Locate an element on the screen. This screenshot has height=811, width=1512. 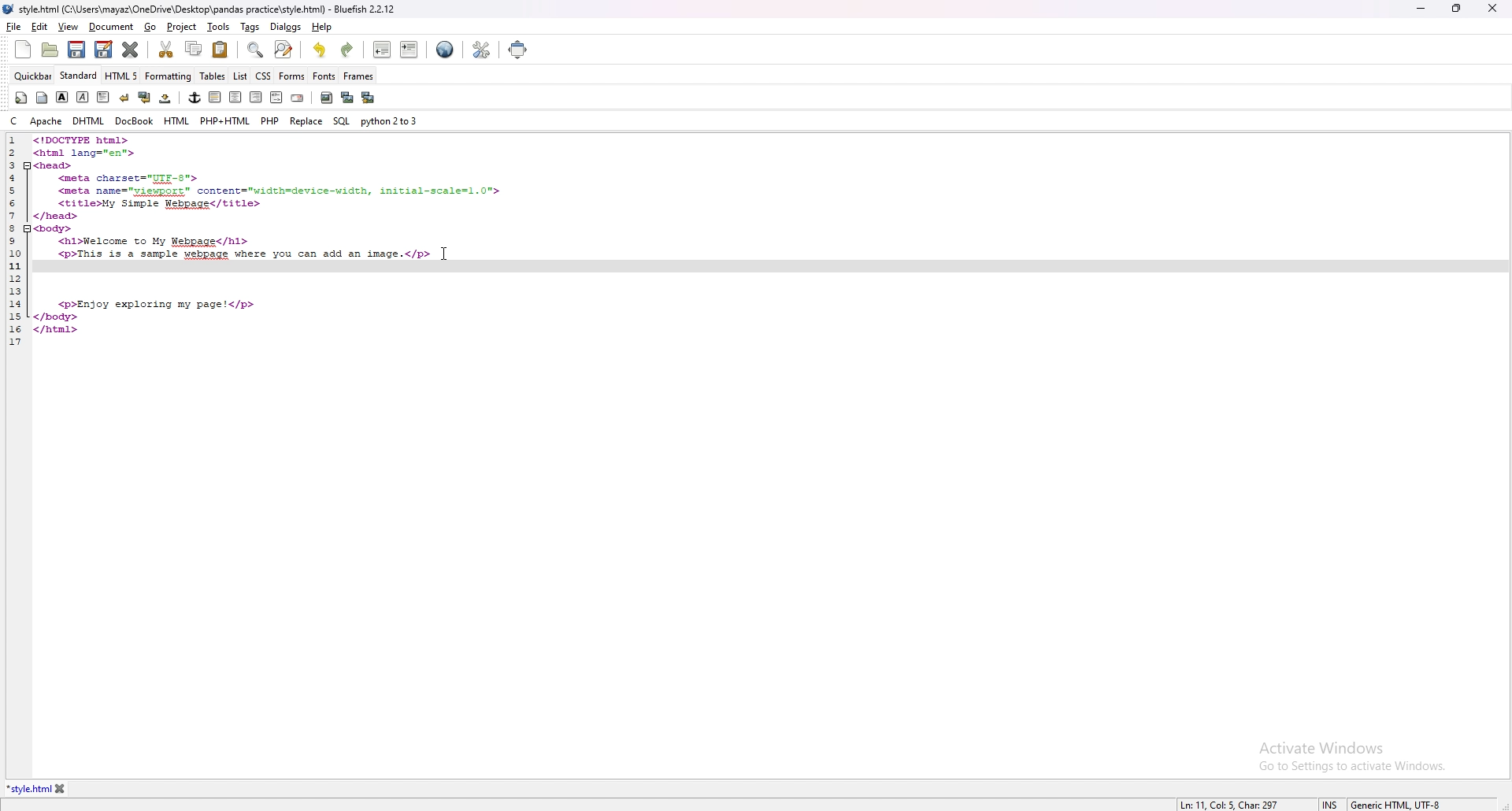
unindent is located at coordinates (381, 50).